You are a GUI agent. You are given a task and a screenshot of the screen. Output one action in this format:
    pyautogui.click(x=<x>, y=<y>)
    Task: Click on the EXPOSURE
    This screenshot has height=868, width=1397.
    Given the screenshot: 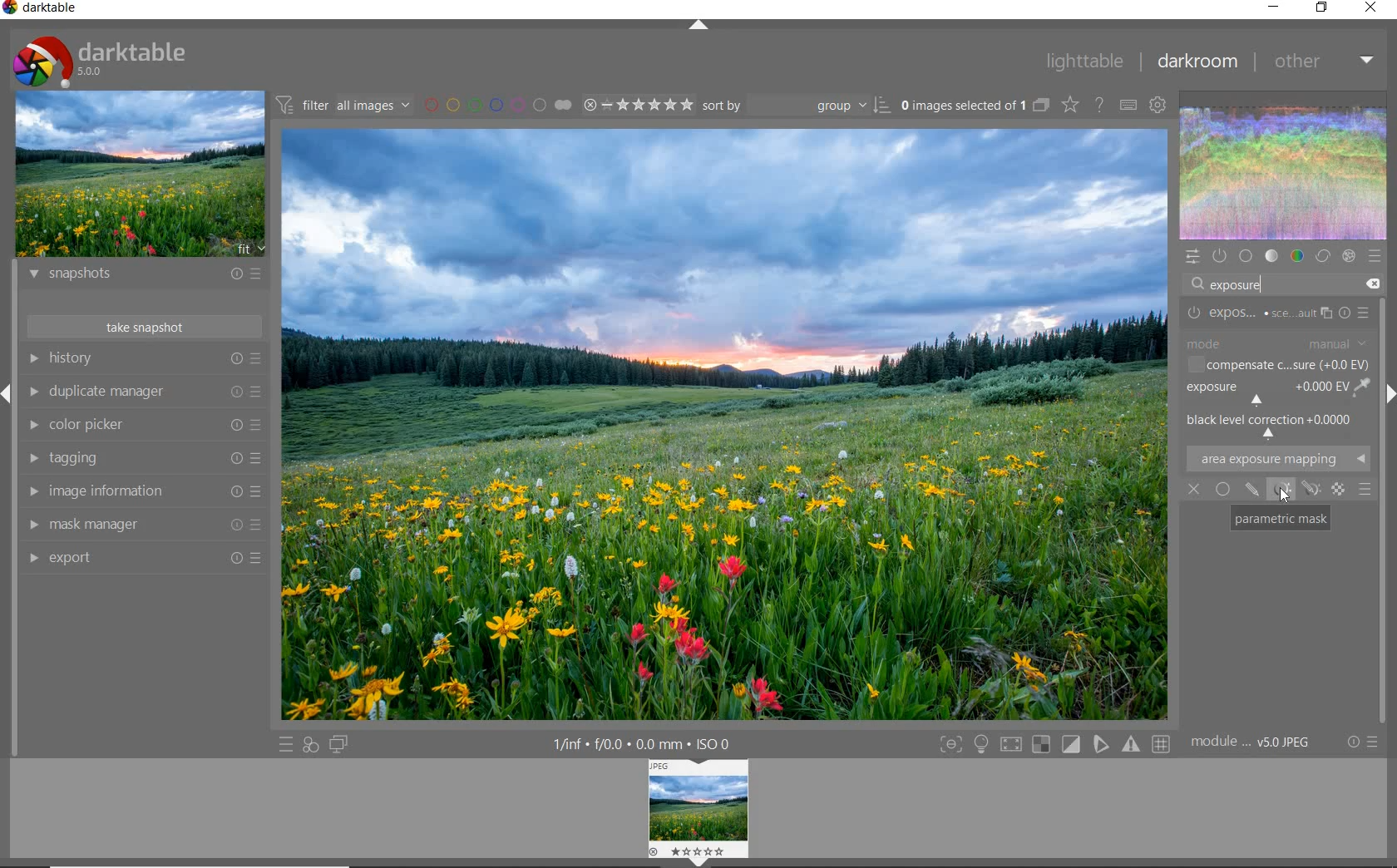 What is the action you would take?
    pyautogui.click(x=1281, y=313)
    